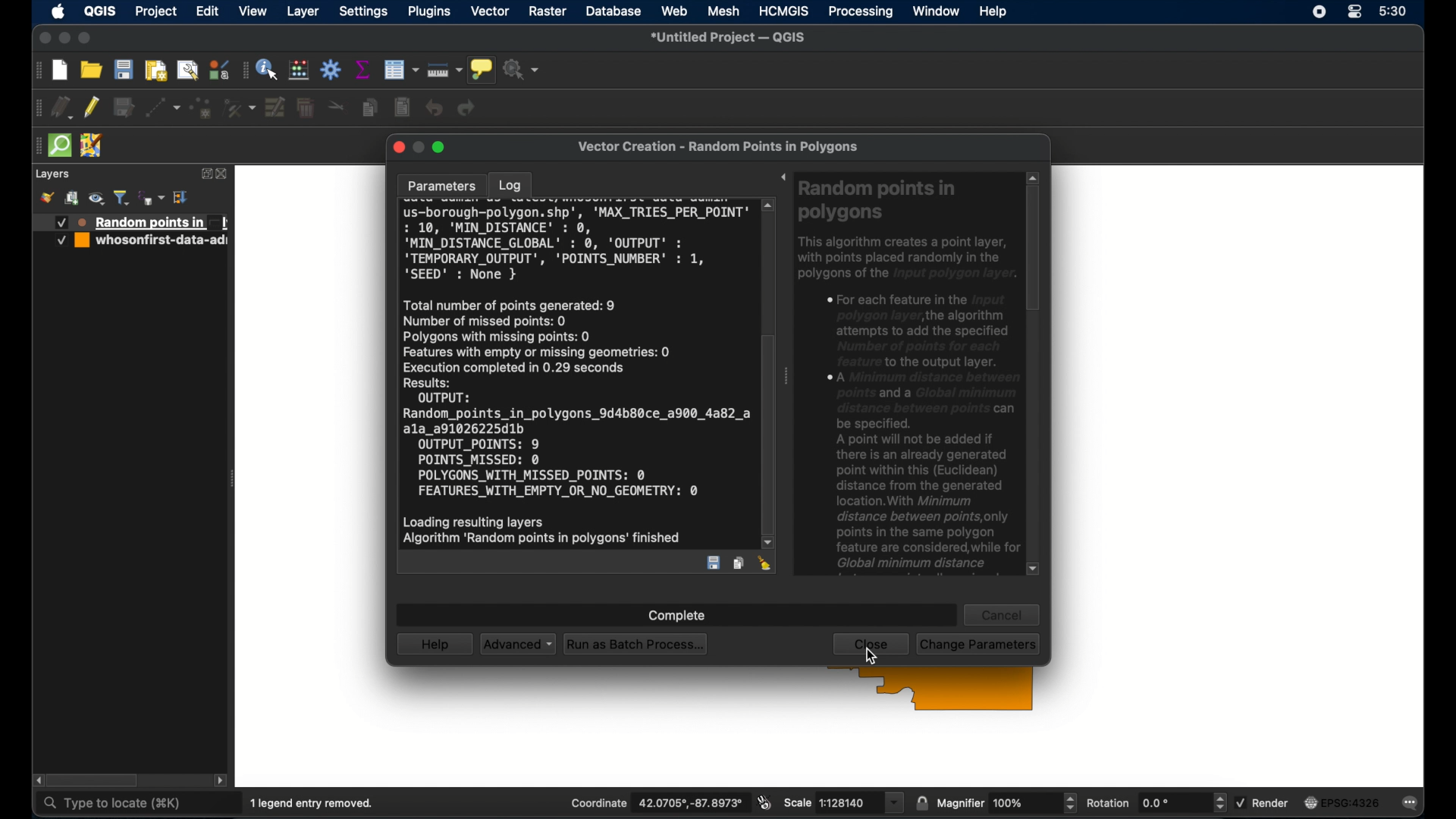 This screenshot has width=1456, height=819. What do you see at coordinates (518, 645) in the screenshot?
I see `advanced` at bounding box center [518, 645].